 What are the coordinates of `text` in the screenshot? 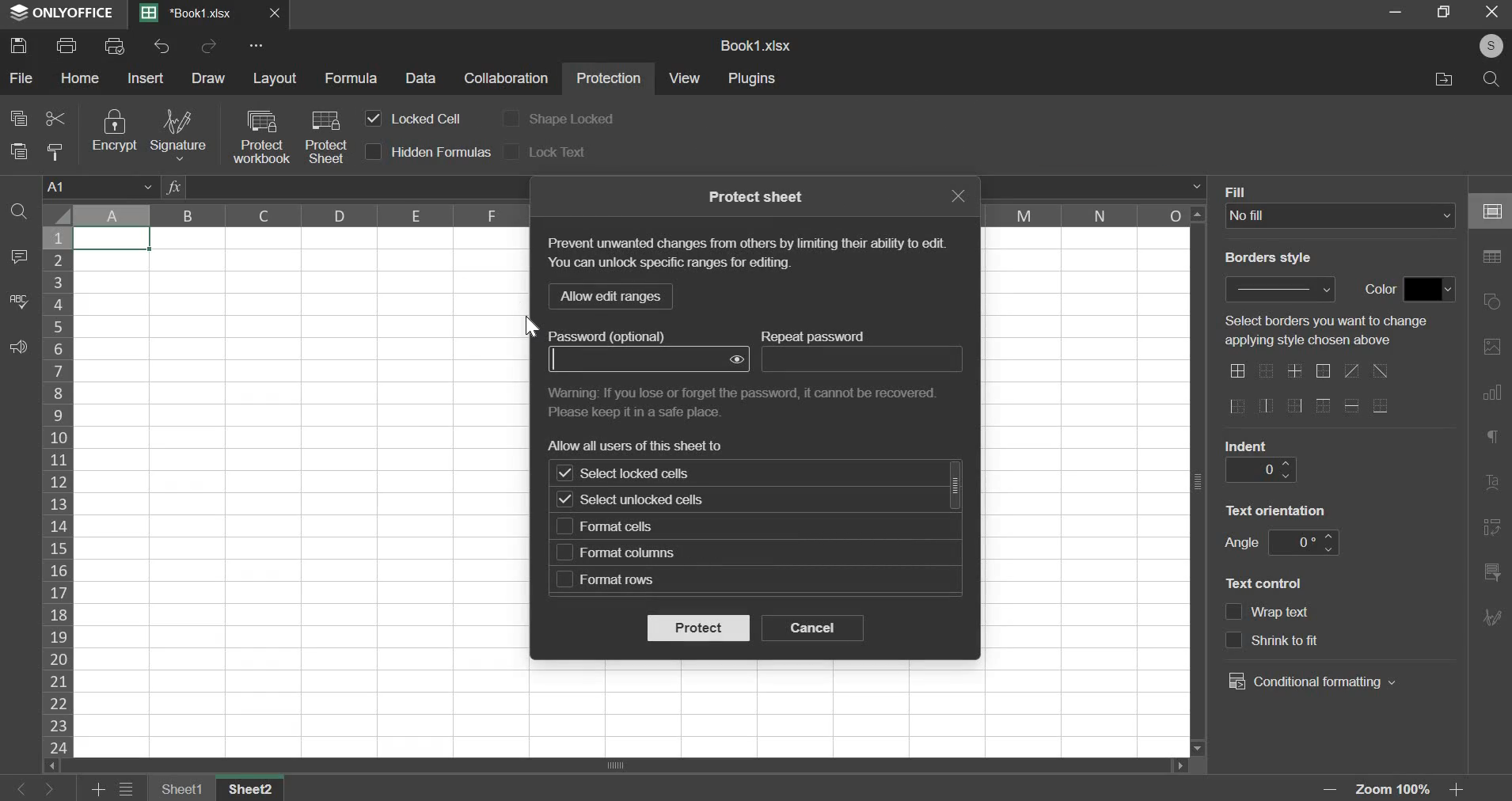 It's located at (746, 256).